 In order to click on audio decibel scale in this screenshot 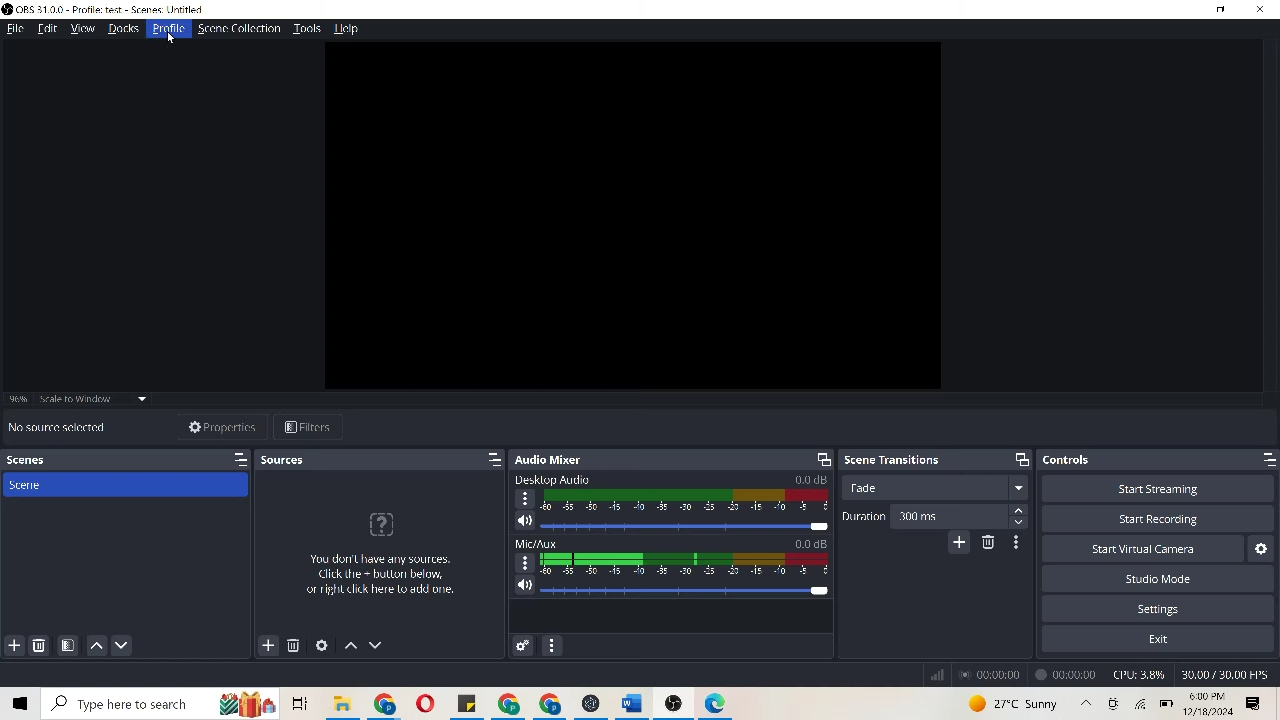, I will do `click(687, 564)`.